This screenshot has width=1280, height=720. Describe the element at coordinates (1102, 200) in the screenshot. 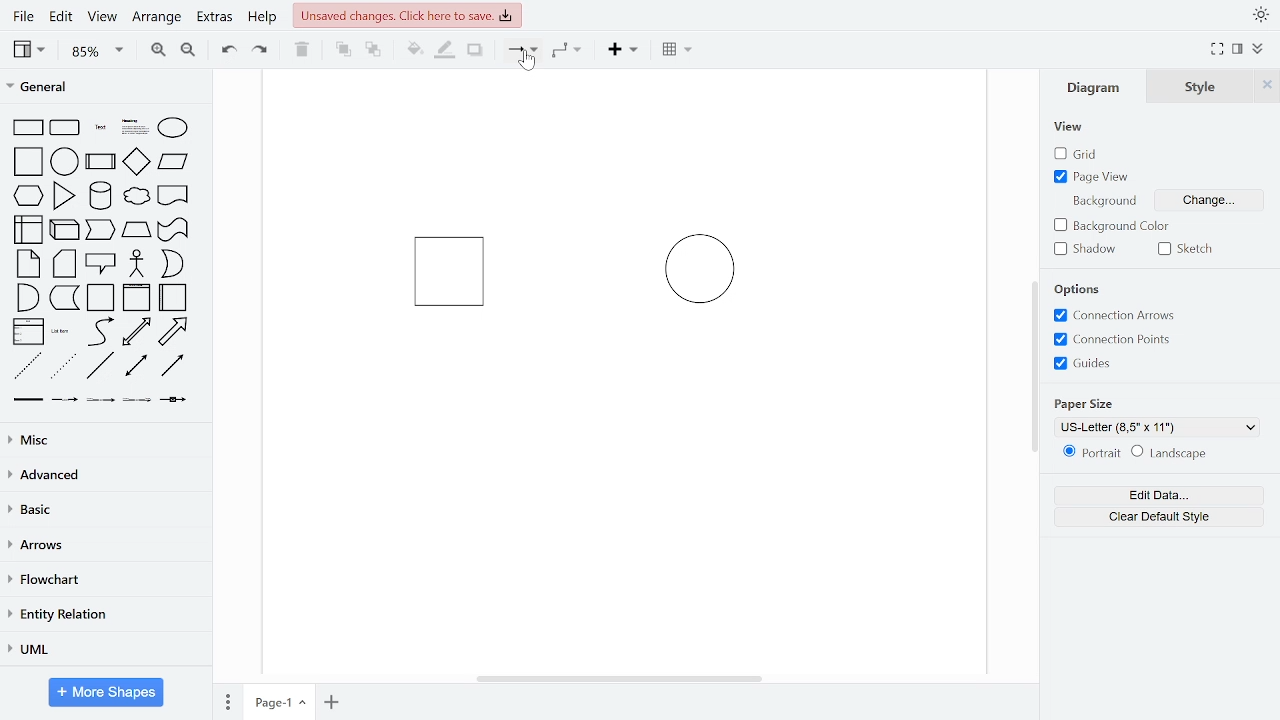

I see `background` at that location.